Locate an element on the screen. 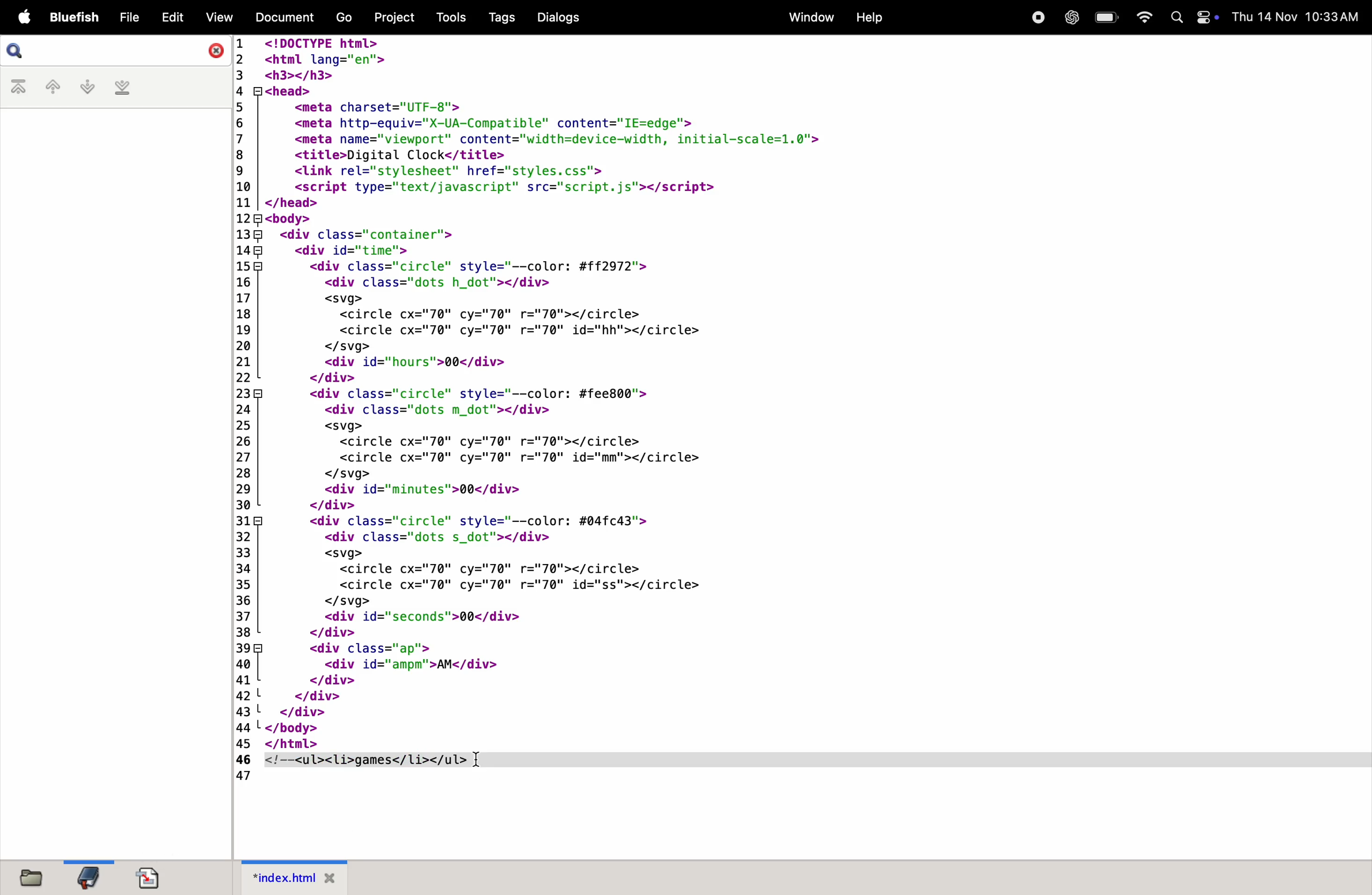  project is located at coordinates (393, 18).